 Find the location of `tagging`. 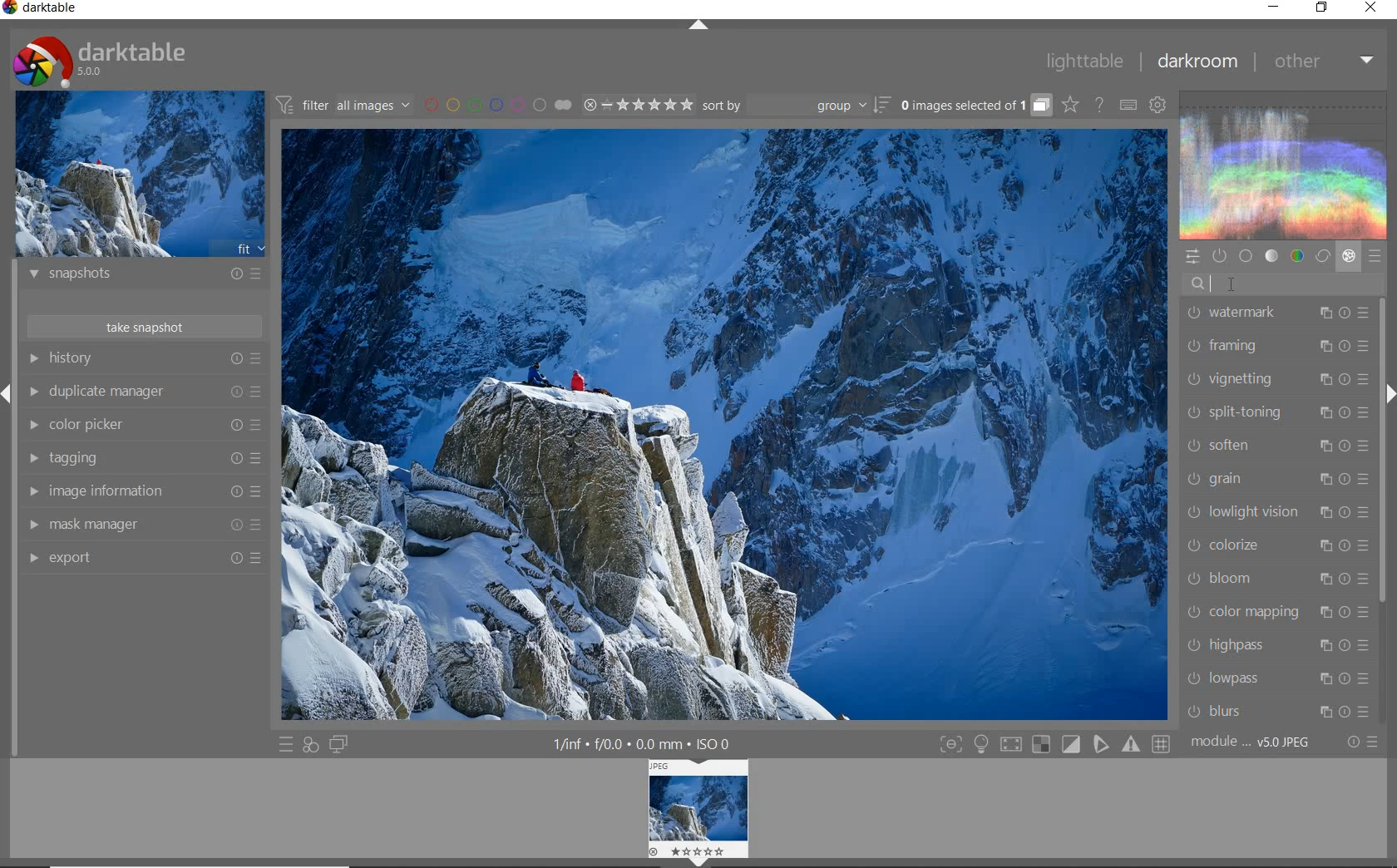

tagging is located at coordinates (143, 459).